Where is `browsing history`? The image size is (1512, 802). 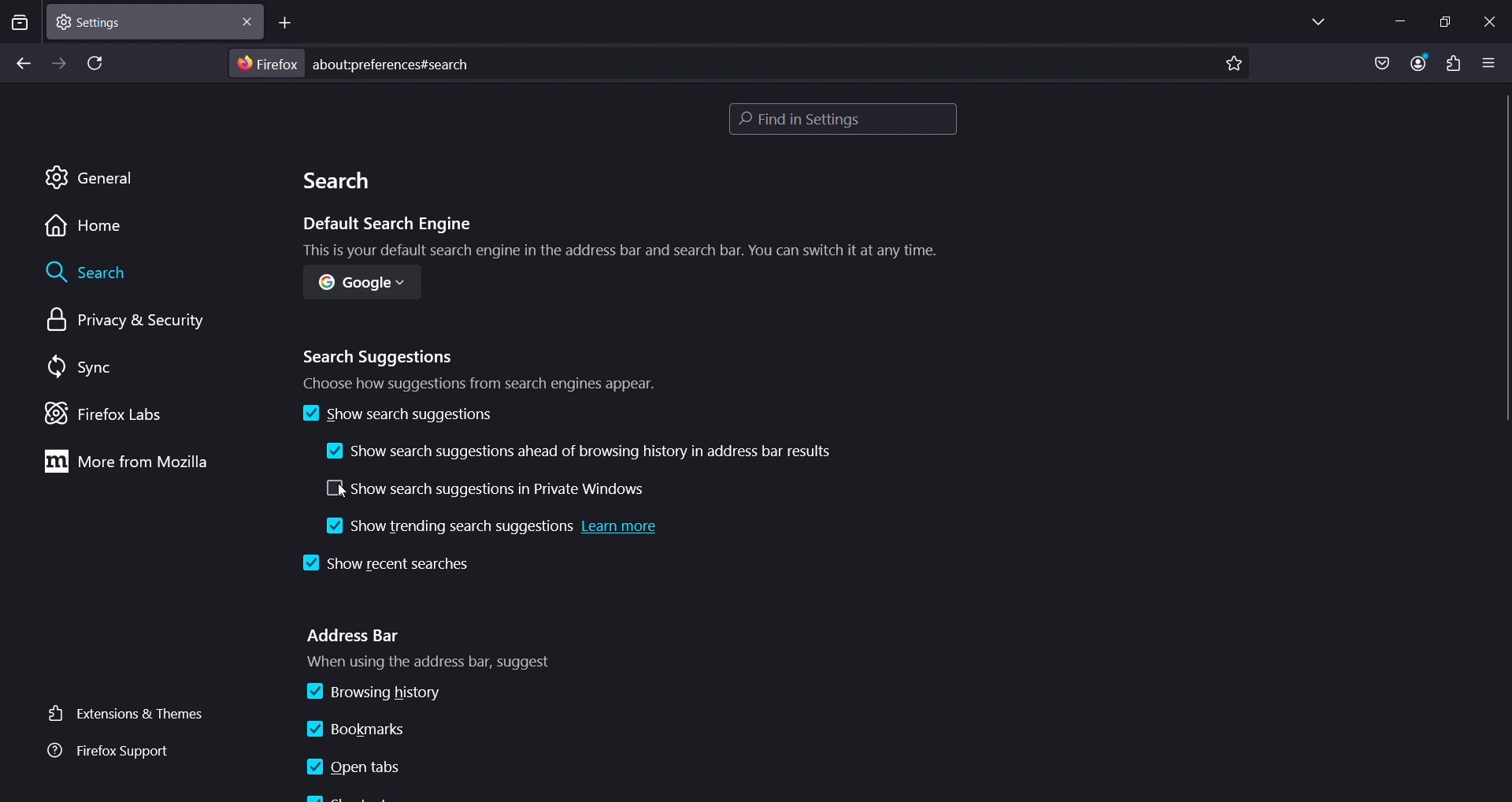 browsing history is located at coordinates (378, 692).